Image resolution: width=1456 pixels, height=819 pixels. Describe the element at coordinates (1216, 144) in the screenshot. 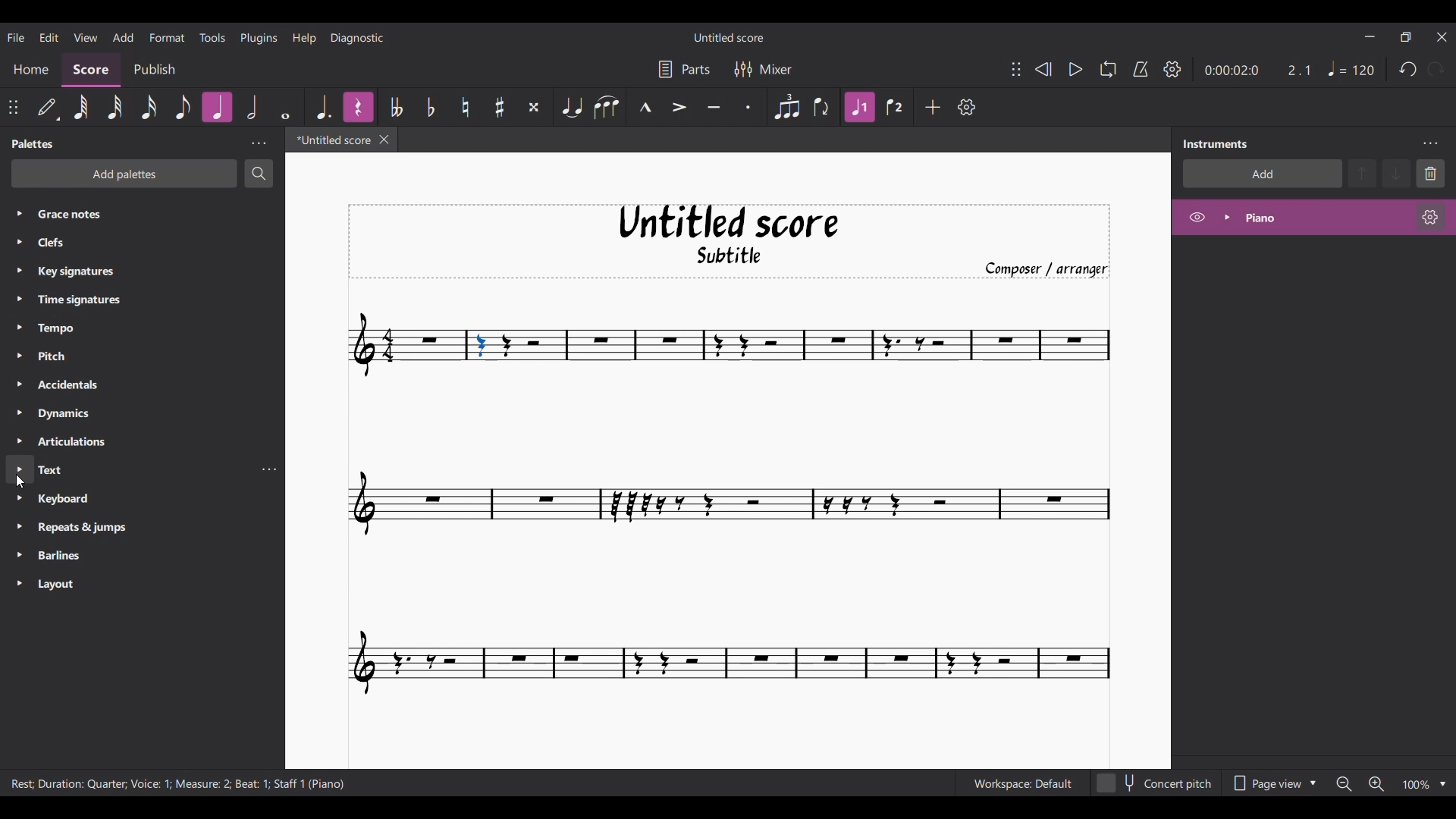

I see `Panel title` at that location.